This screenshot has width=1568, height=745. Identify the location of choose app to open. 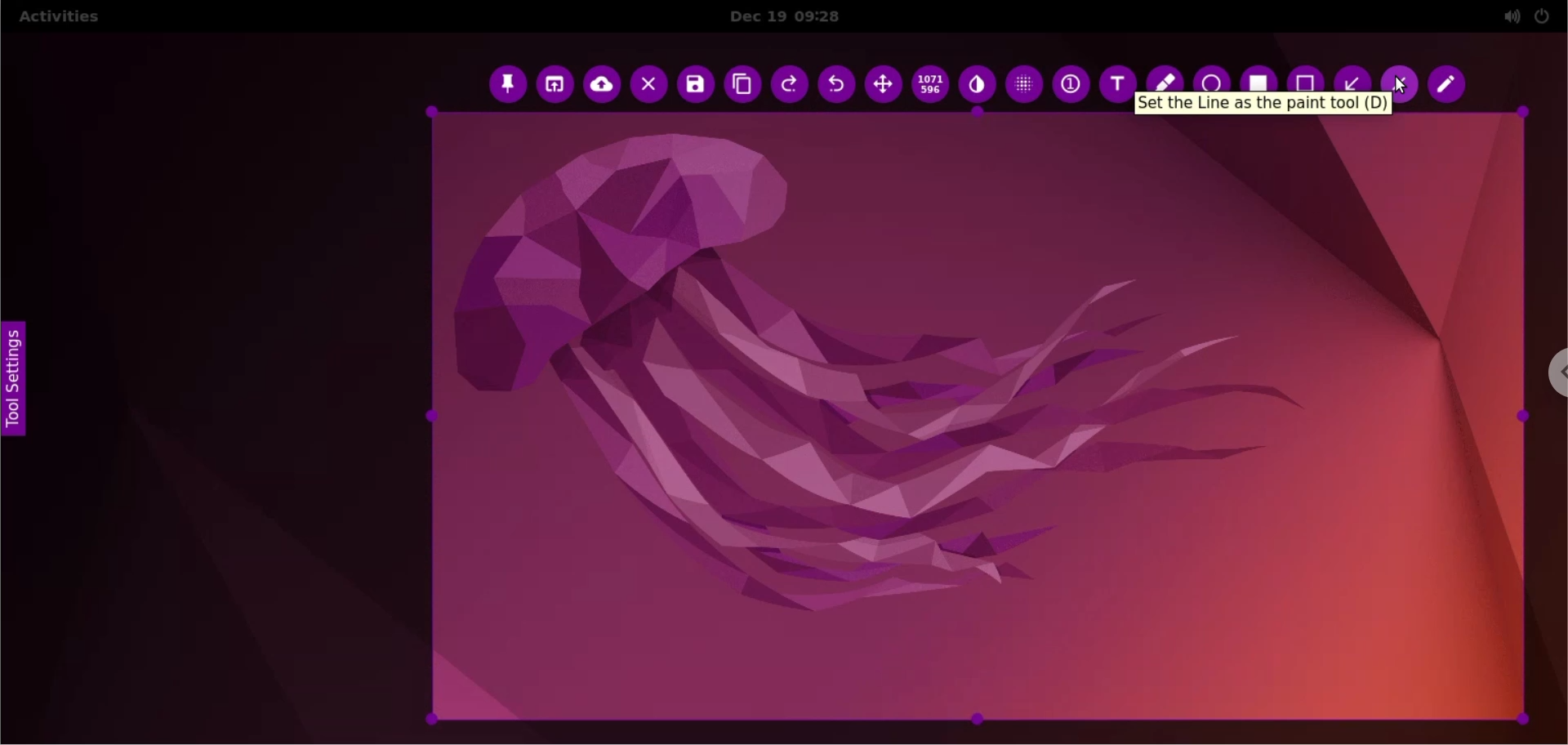
(557, 85).